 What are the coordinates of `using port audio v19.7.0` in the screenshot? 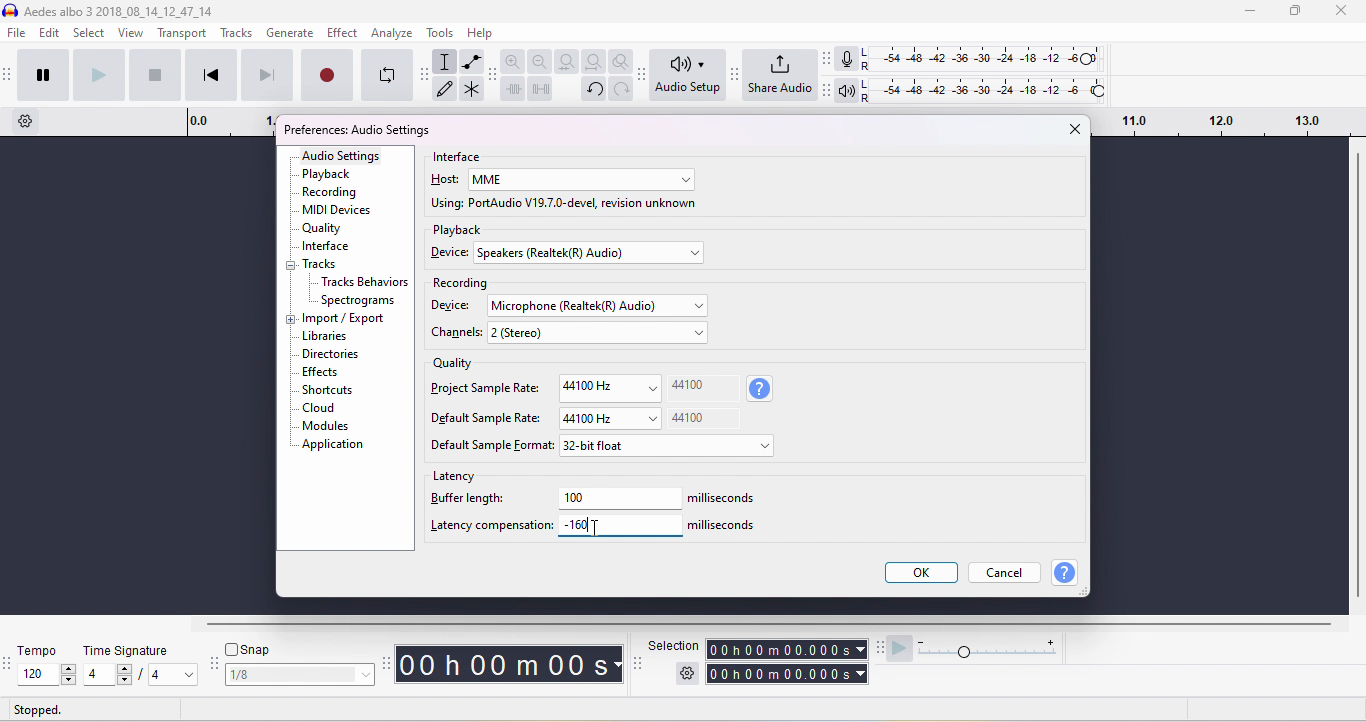 It's located at (565, 205).